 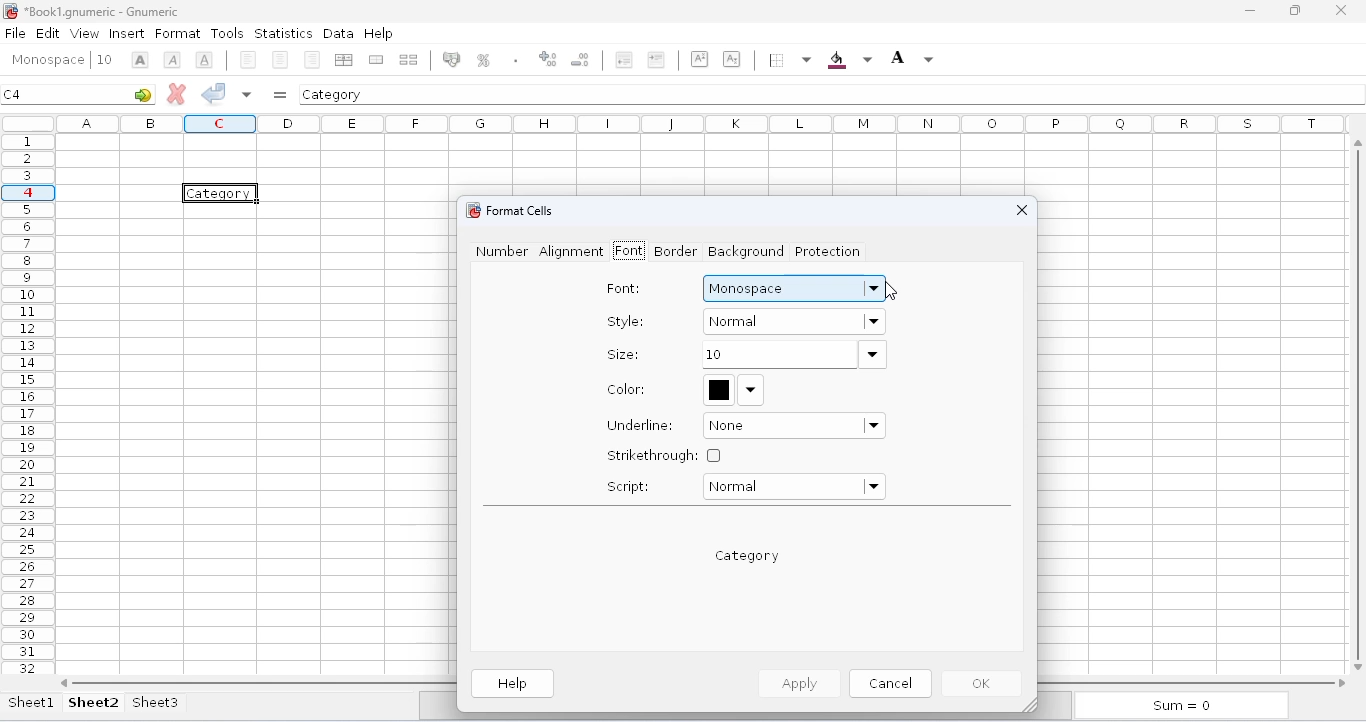 I want to click on data, so click(x=338, y=33).